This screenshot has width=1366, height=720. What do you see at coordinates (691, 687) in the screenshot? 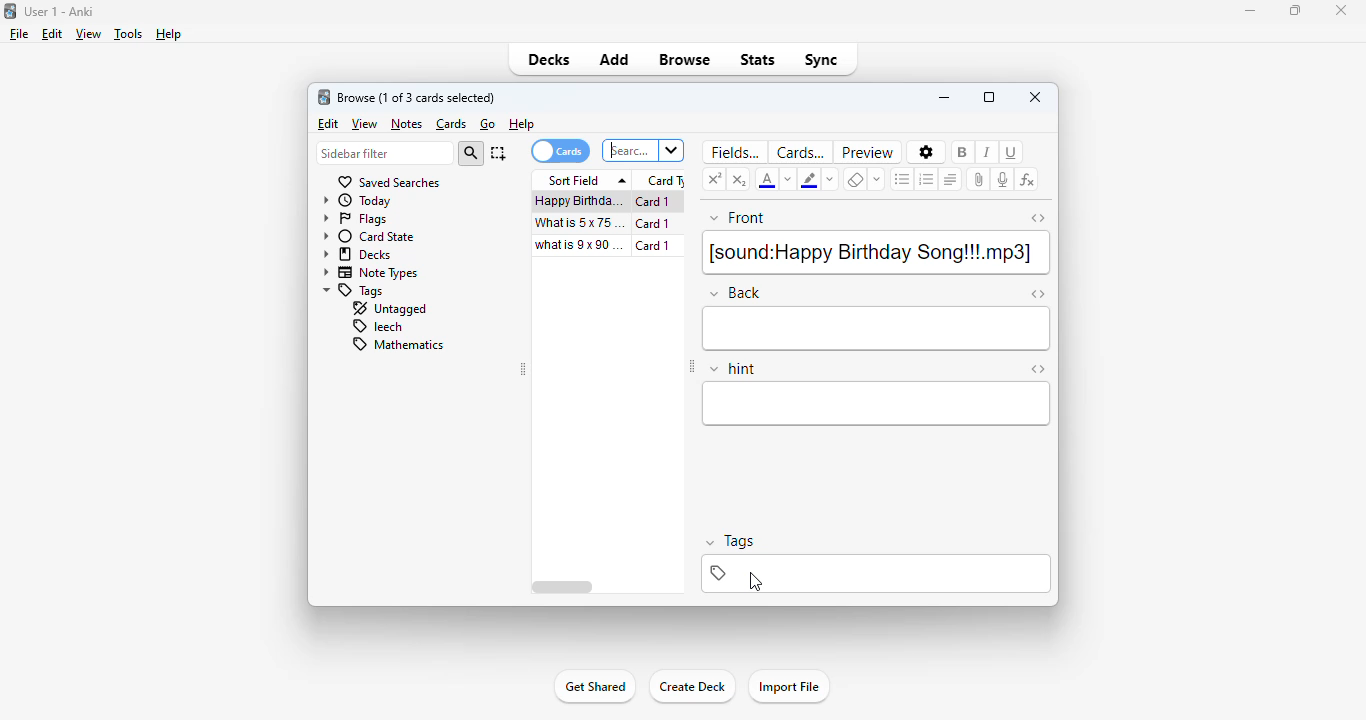
I see `create deck` at bounding box center [691, 687].